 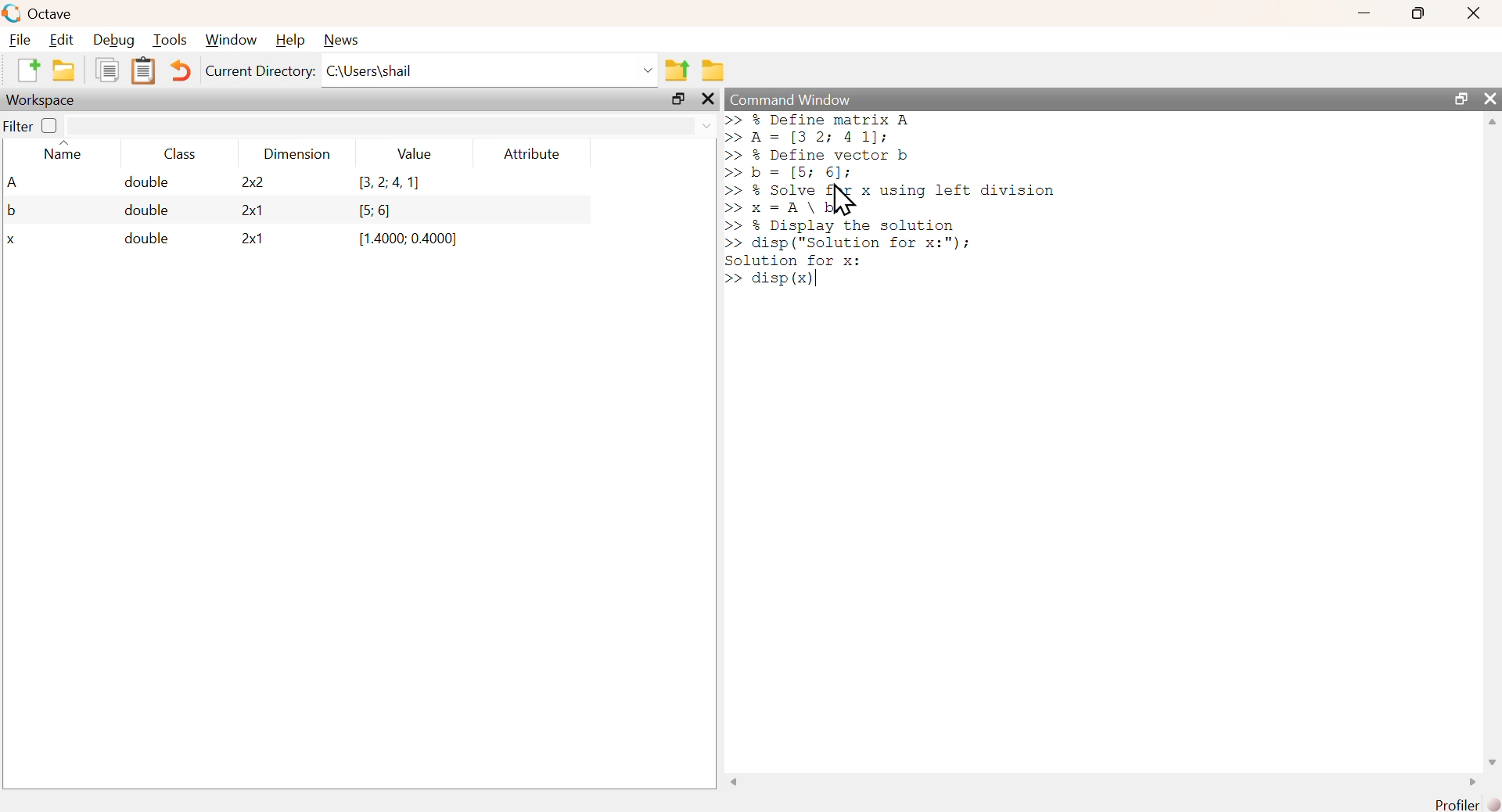 What do you see at coordinates (679, 70) in the screenshot?
I see `one directory up` at bounding box center [679, 70].